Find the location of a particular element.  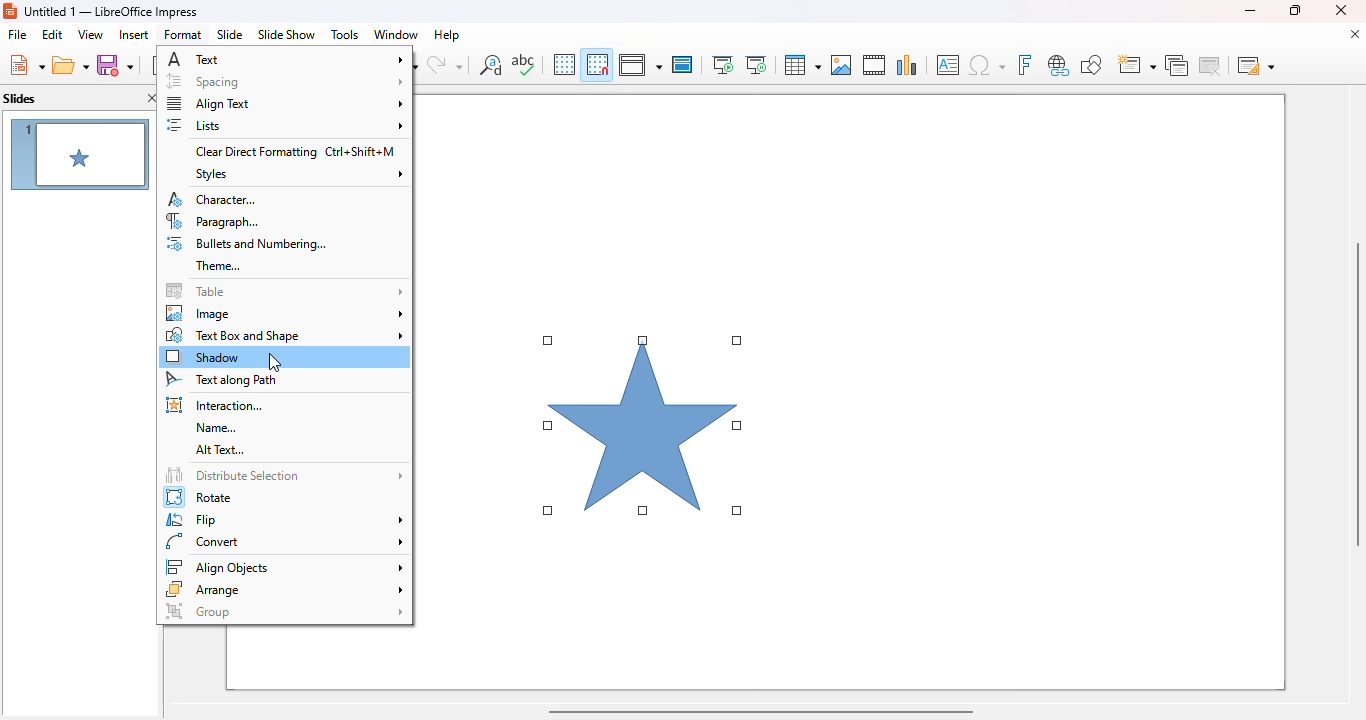

close is located at coordinates (1341, 10).